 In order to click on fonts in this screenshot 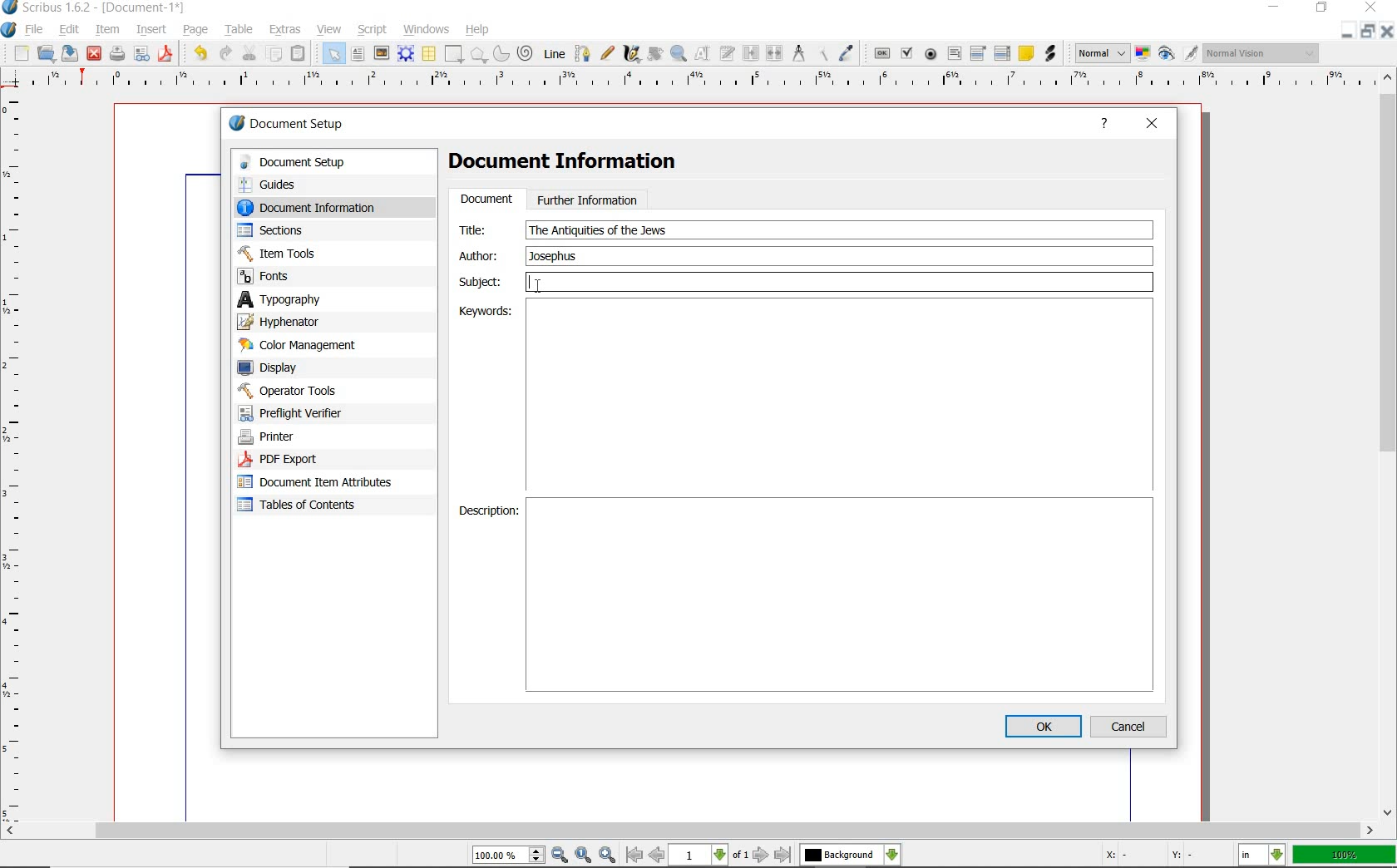, I will do `click(315, 277)`.